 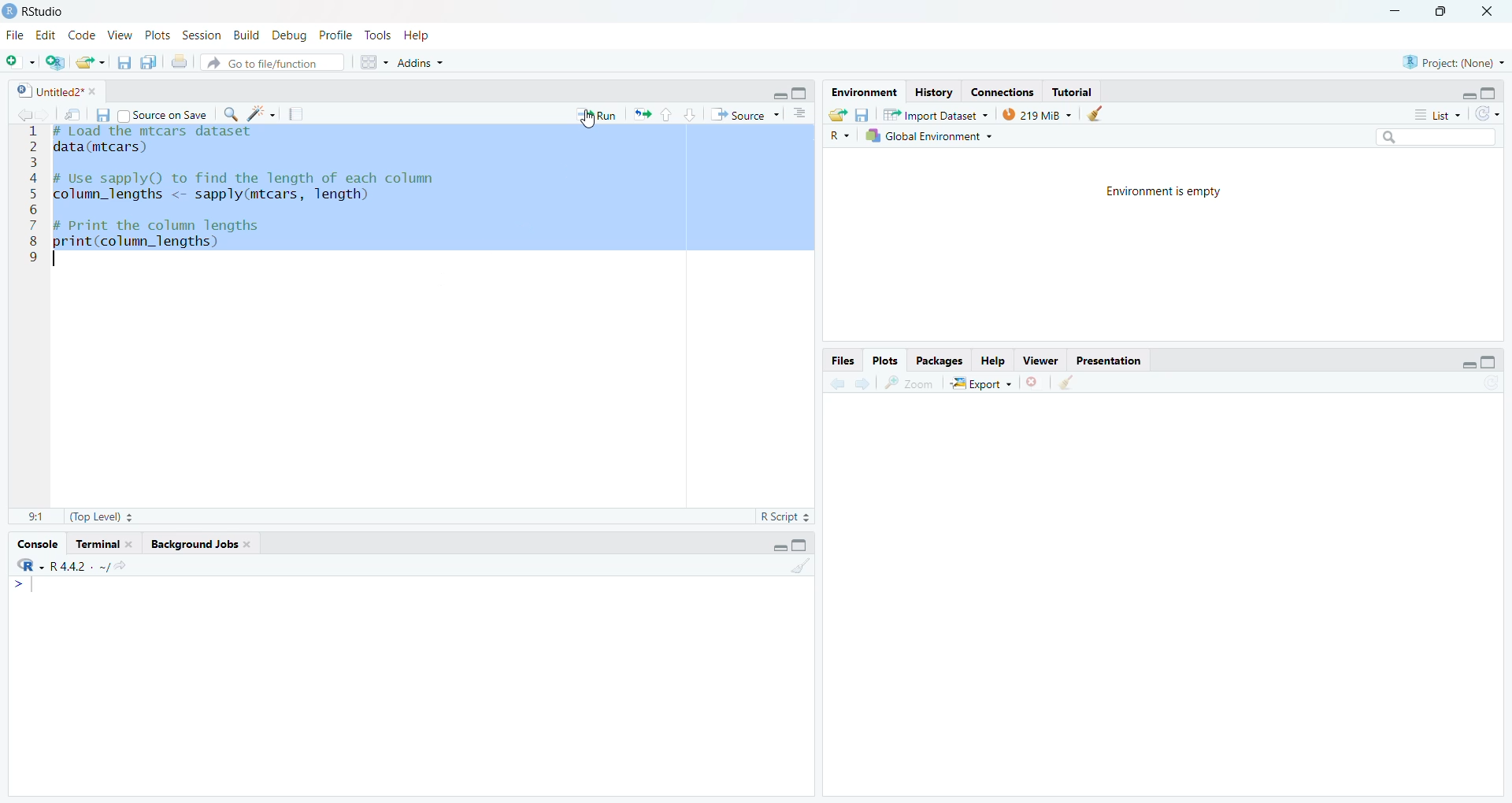 I want to click on Zoom, so click(x=909, y=383).